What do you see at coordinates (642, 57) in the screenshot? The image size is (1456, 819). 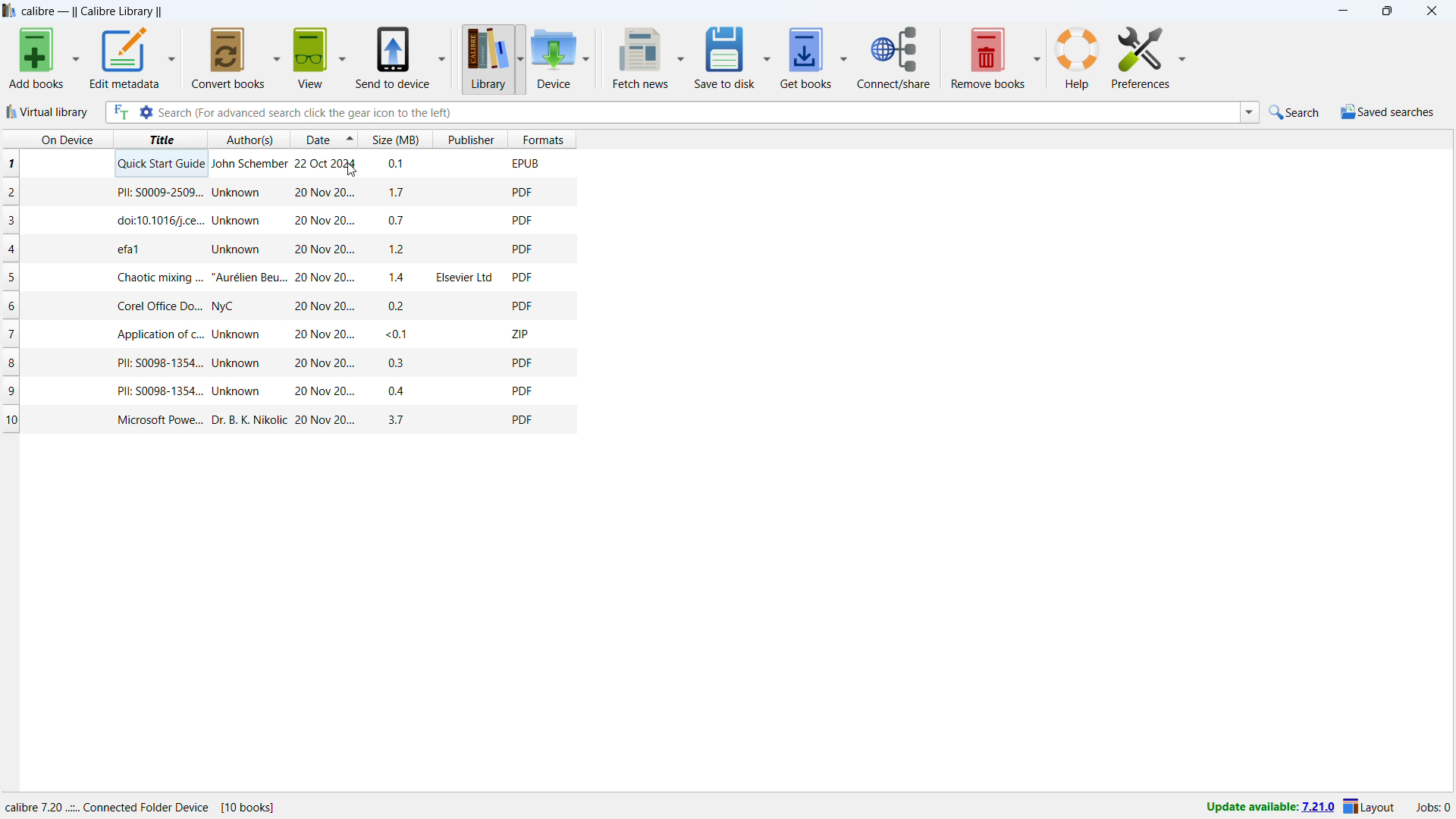 I see `` at bounding box center [642, 57].